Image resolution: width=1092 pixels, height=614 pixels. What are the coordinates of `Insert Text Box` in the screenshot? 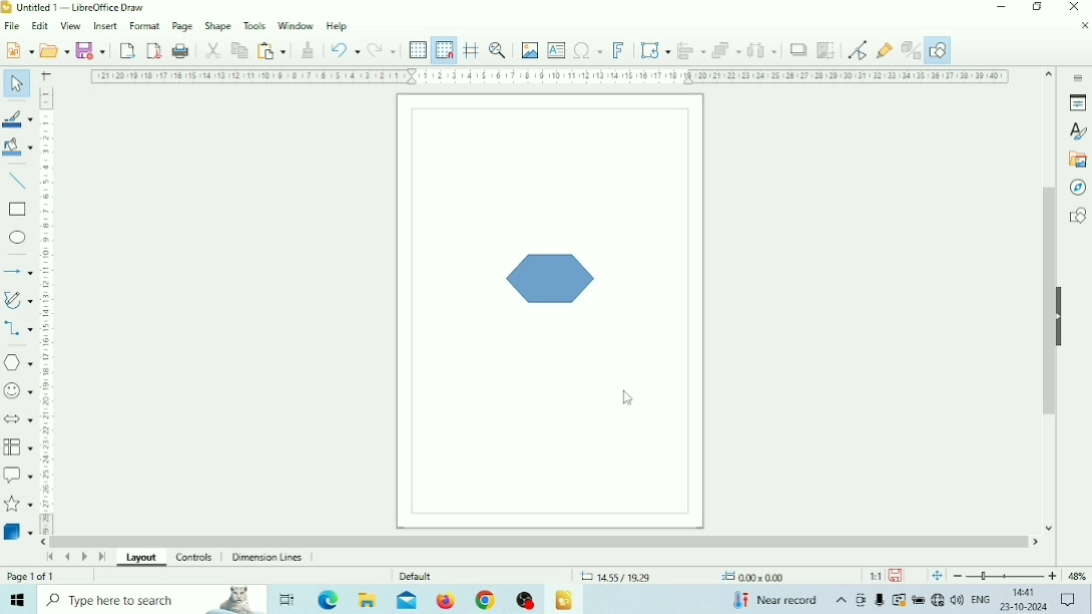 It's located at (557, 49).